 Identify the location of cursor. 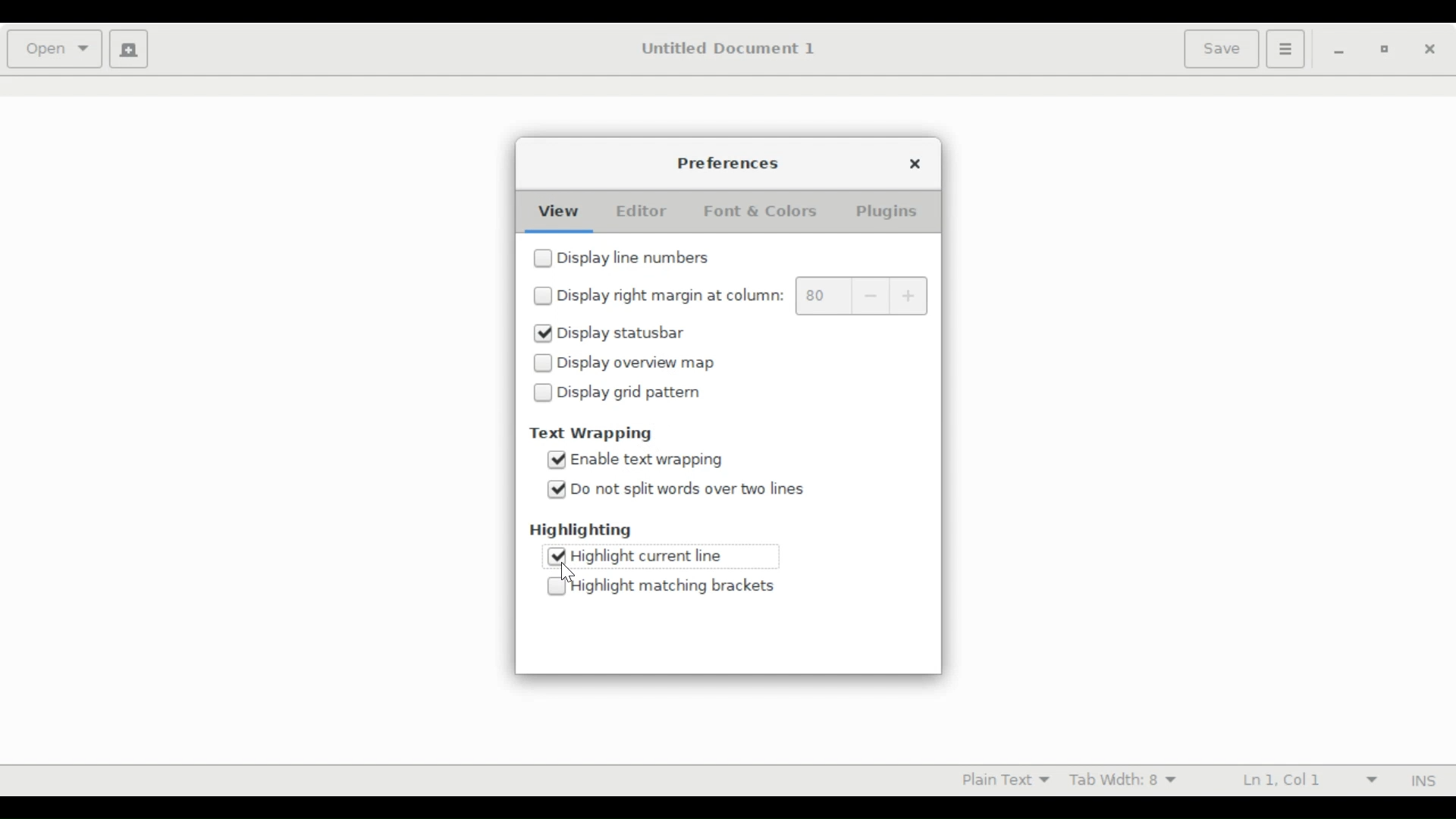
(570, 573).